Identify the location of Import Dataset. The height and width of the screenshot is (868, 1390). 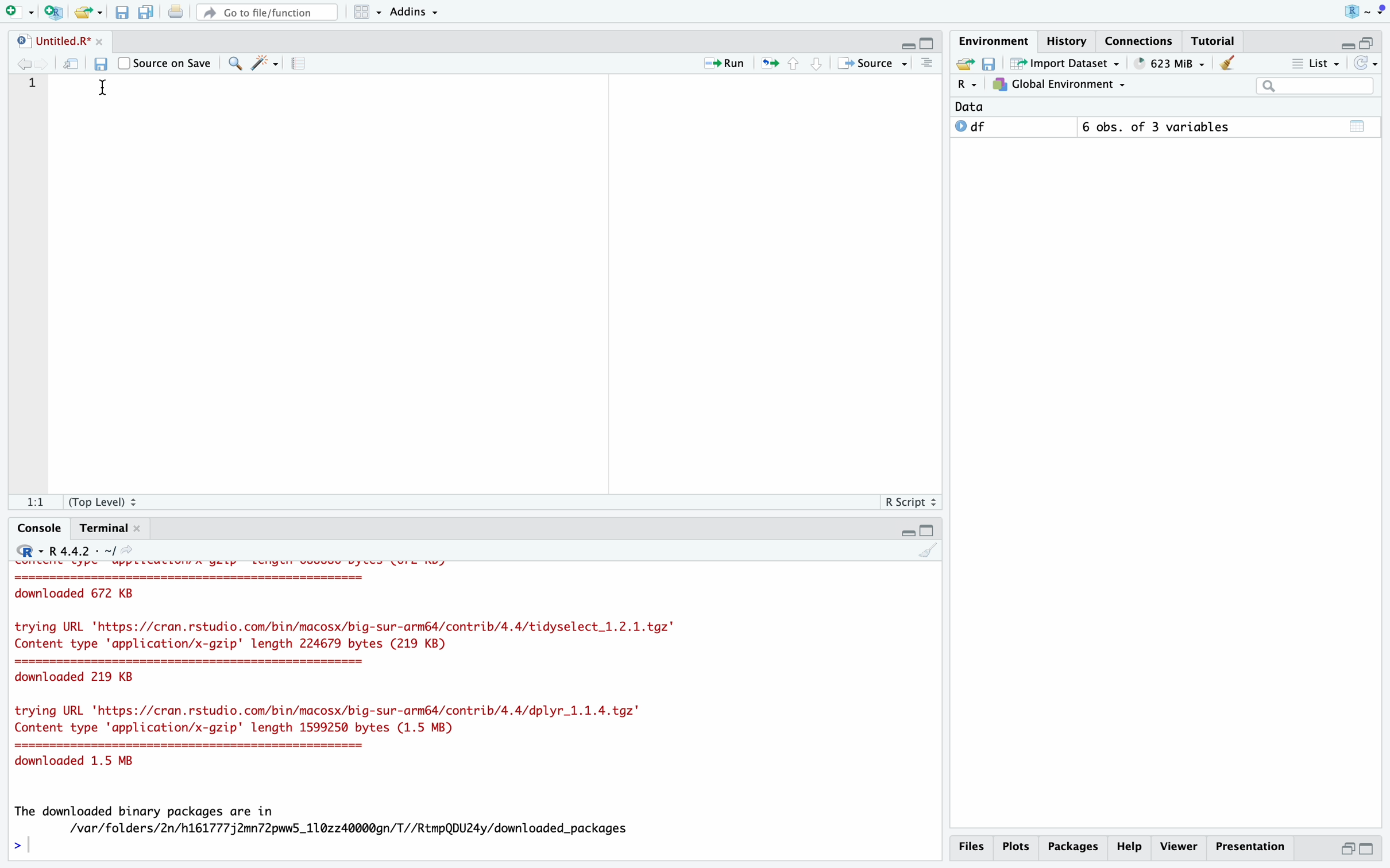
(1067, 63).